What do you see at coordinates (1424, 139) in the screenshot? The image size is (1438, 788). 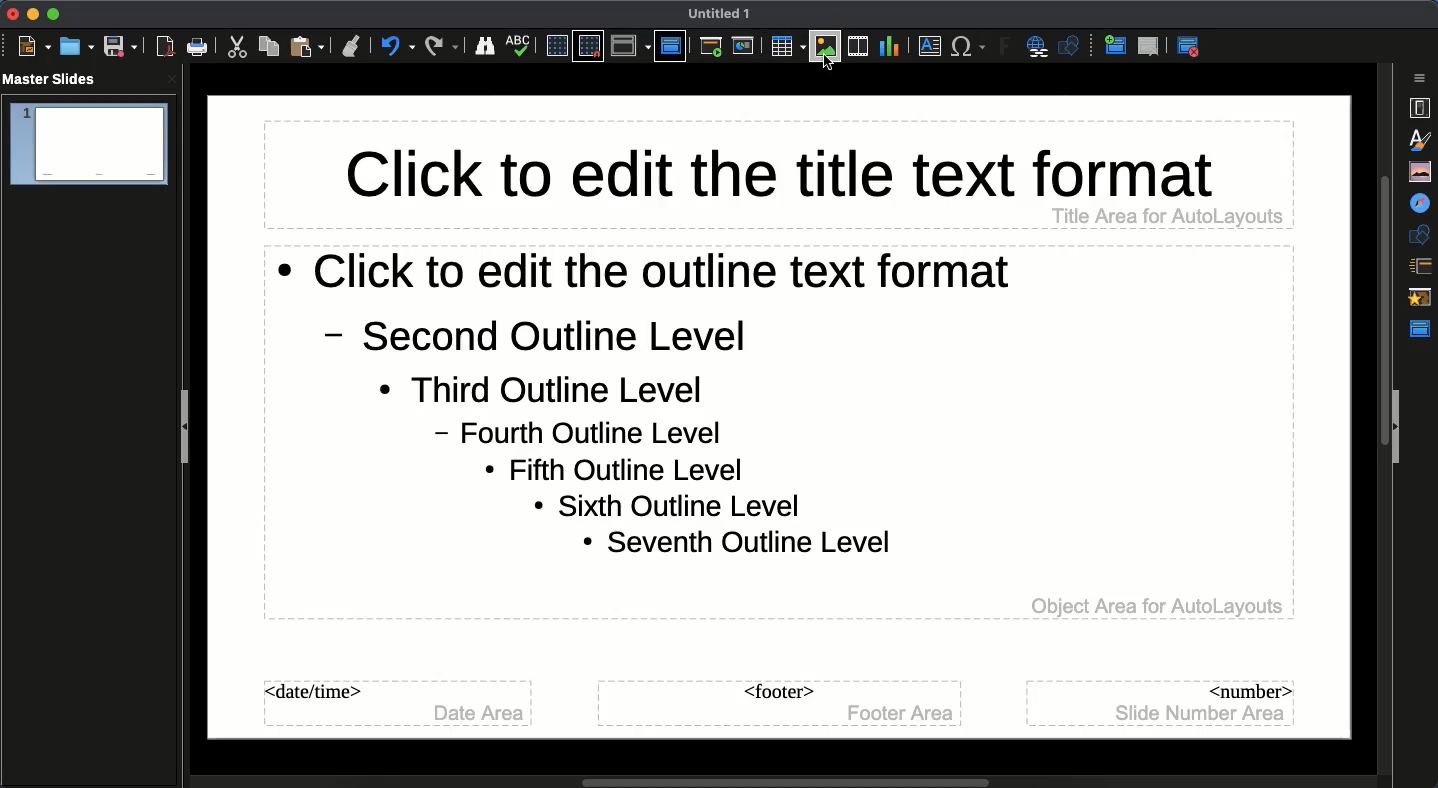 I see `Styles` at bounding box center [1424, 139].